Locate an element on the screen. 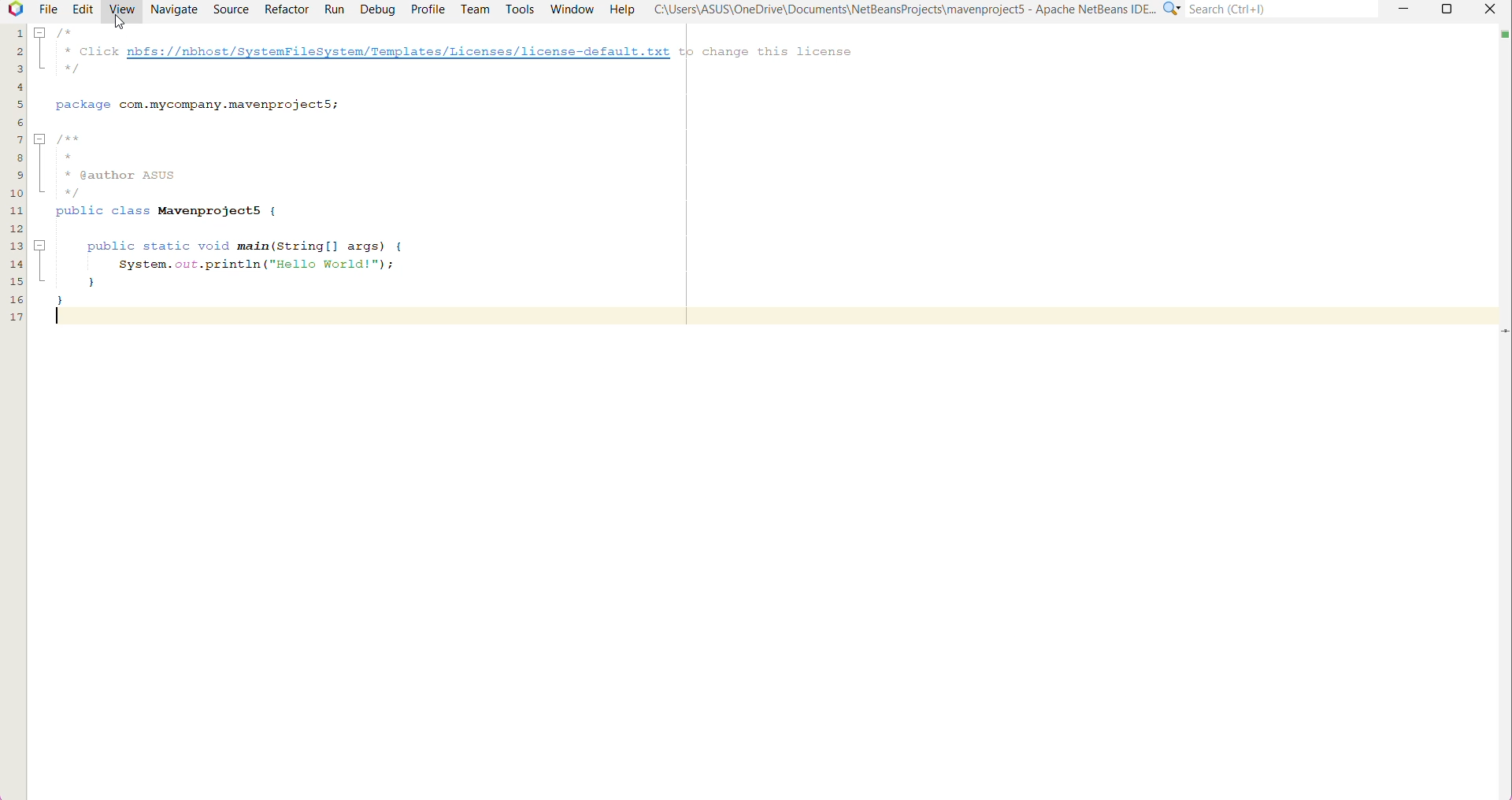  Refactor is located at coordinates (286, 9).